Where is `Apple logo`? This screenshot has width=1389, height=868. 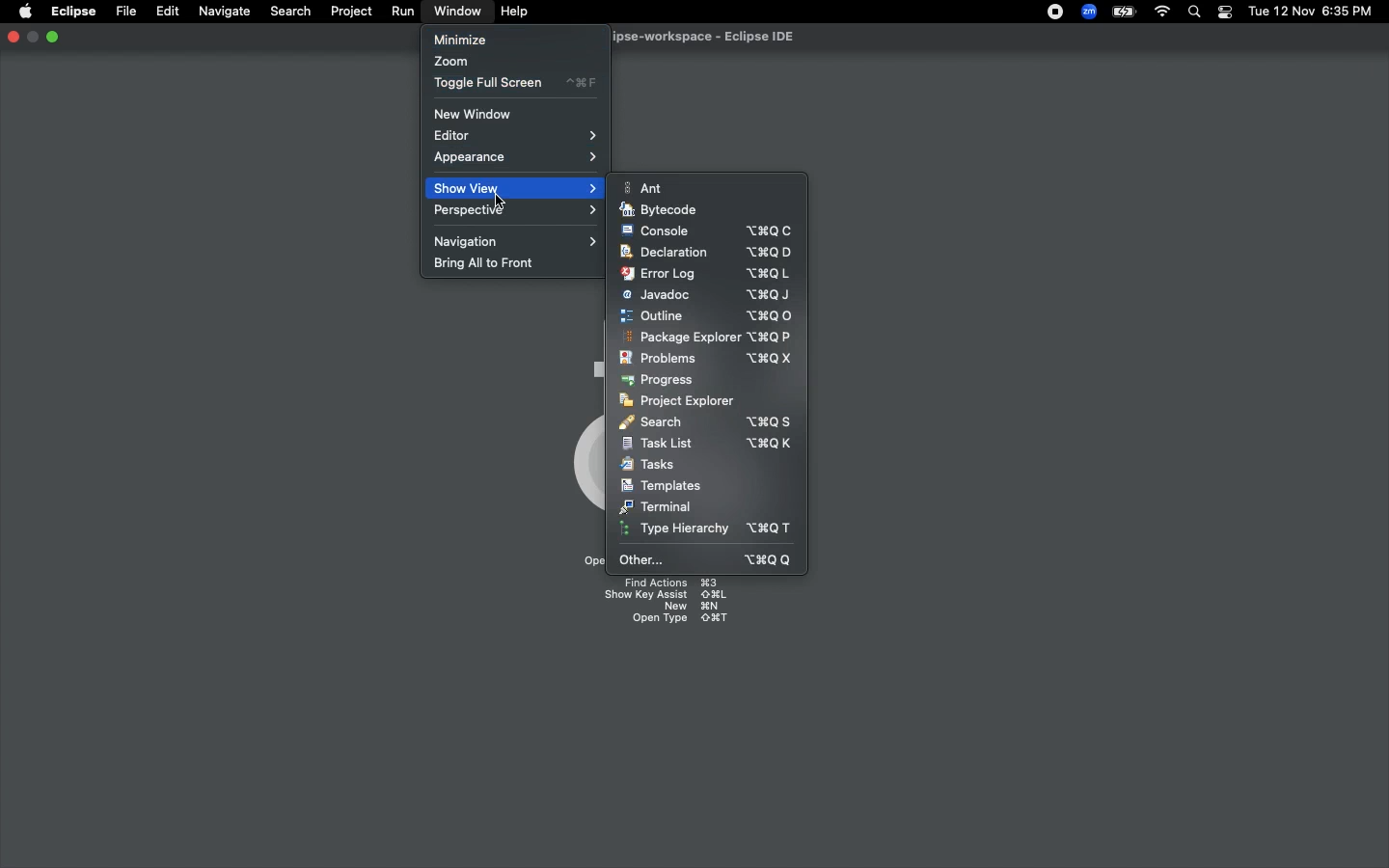 Apple logo is located at coordinates (25, 11).